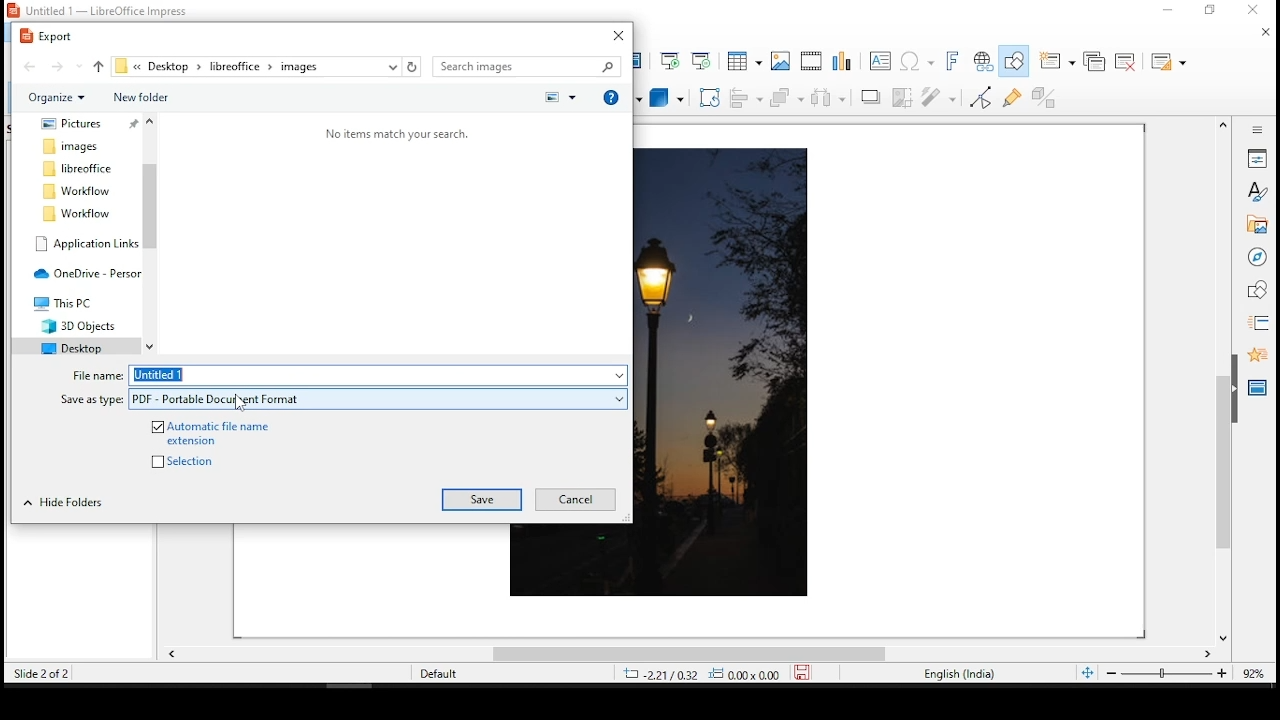 The image size is (1280, 720). I want to click on show draw functions, so click(1011, 61).